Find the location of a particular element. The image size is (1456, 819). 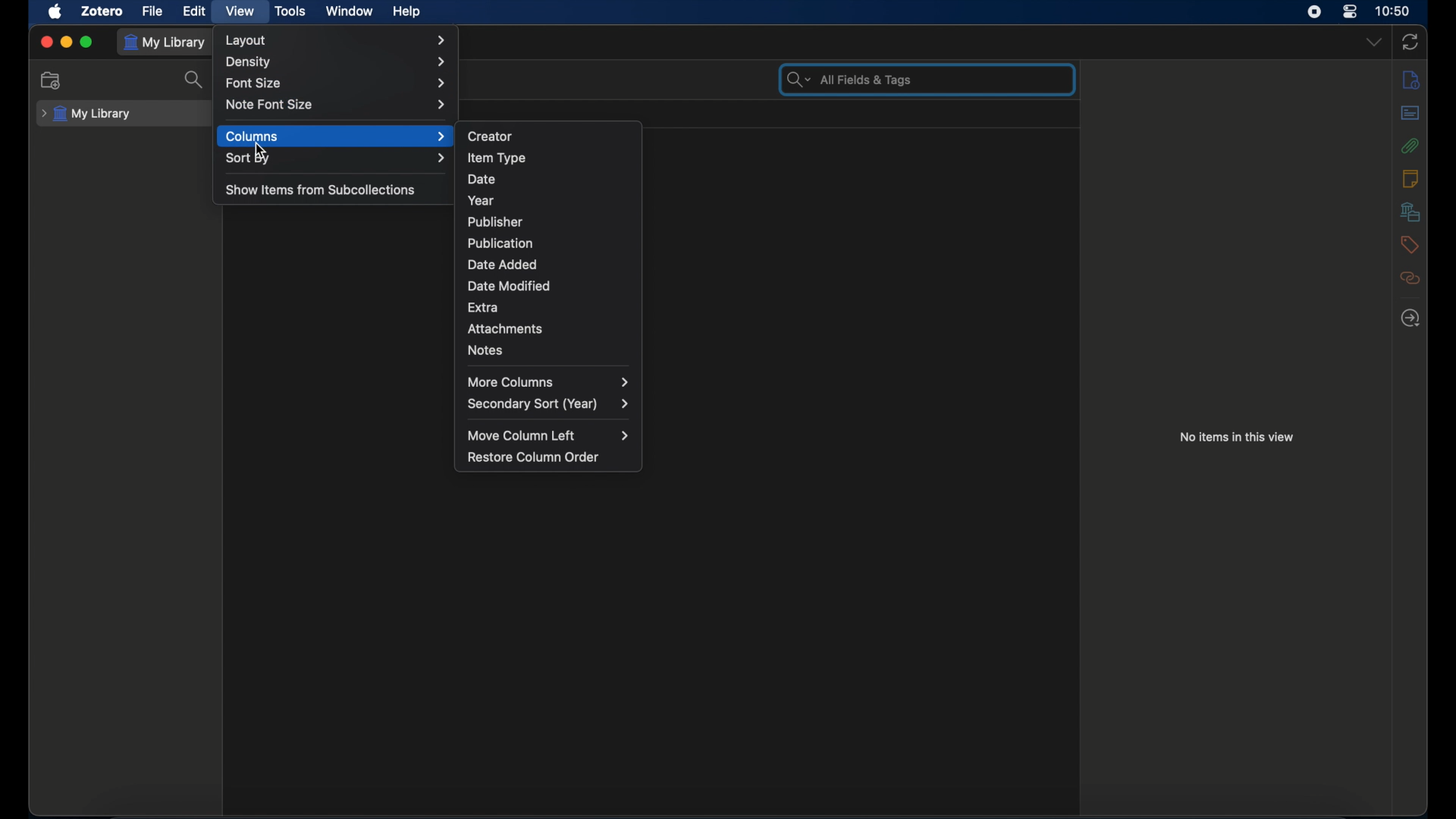

font size is located at coordinates (335, 83).